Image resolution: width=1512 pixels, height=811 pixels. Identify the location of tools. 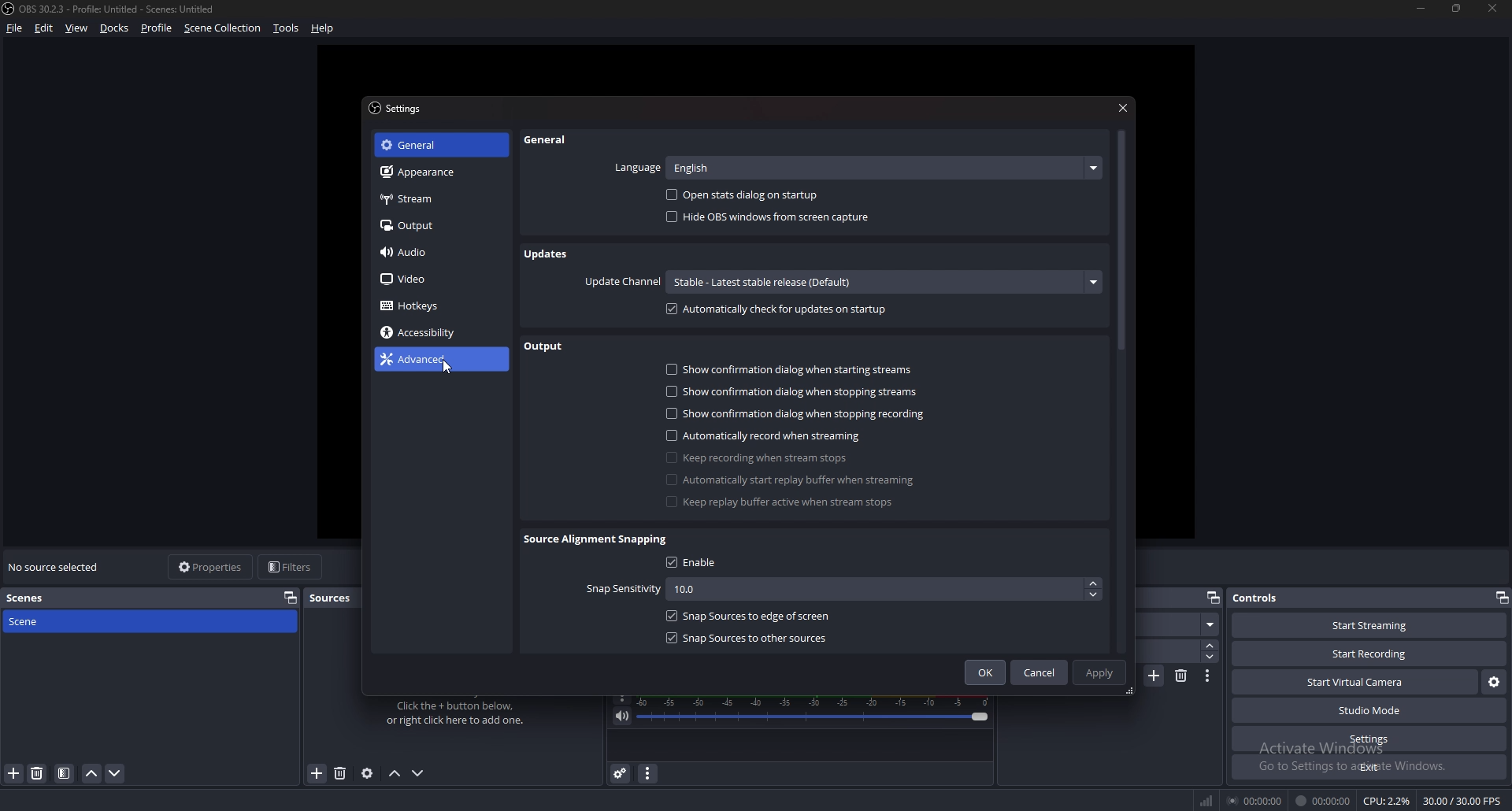
(285, 28).